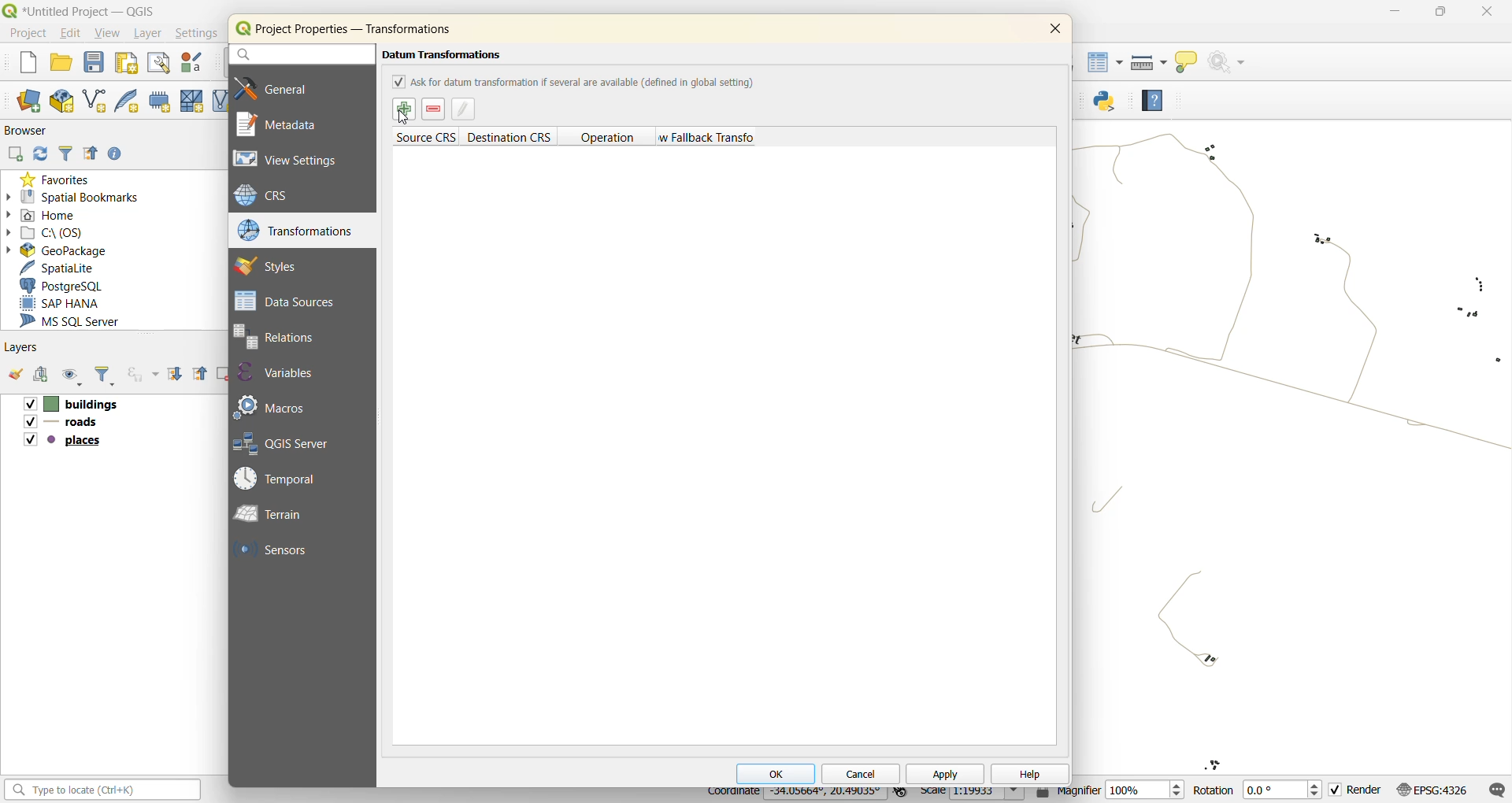  What do you see at coordinates (159, 101) in the screenshot?
I see `temporary scratch layer` at bounding box center [159, 101].